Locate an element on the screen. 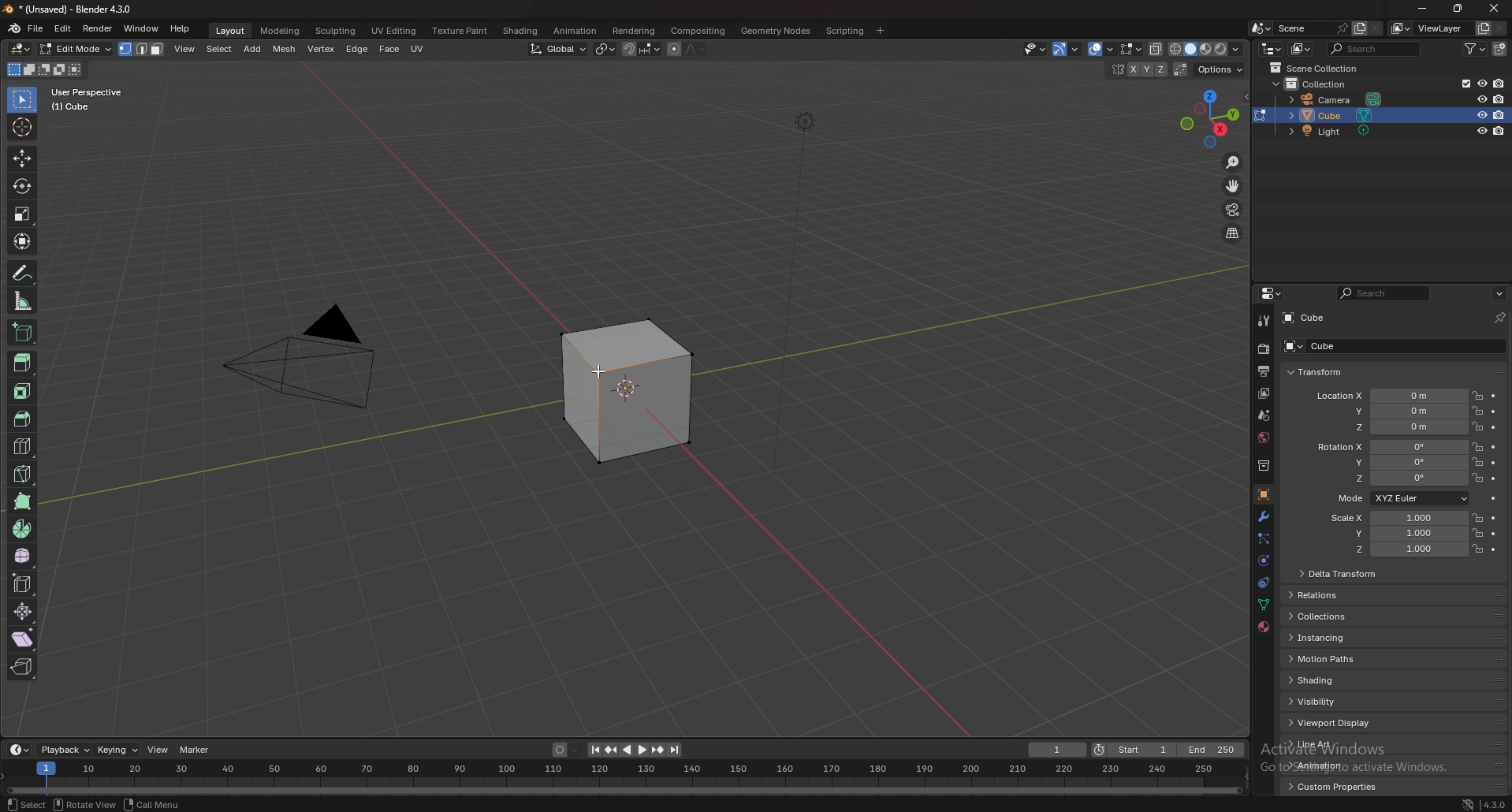  animate property is located at coordinates (1494, 534).